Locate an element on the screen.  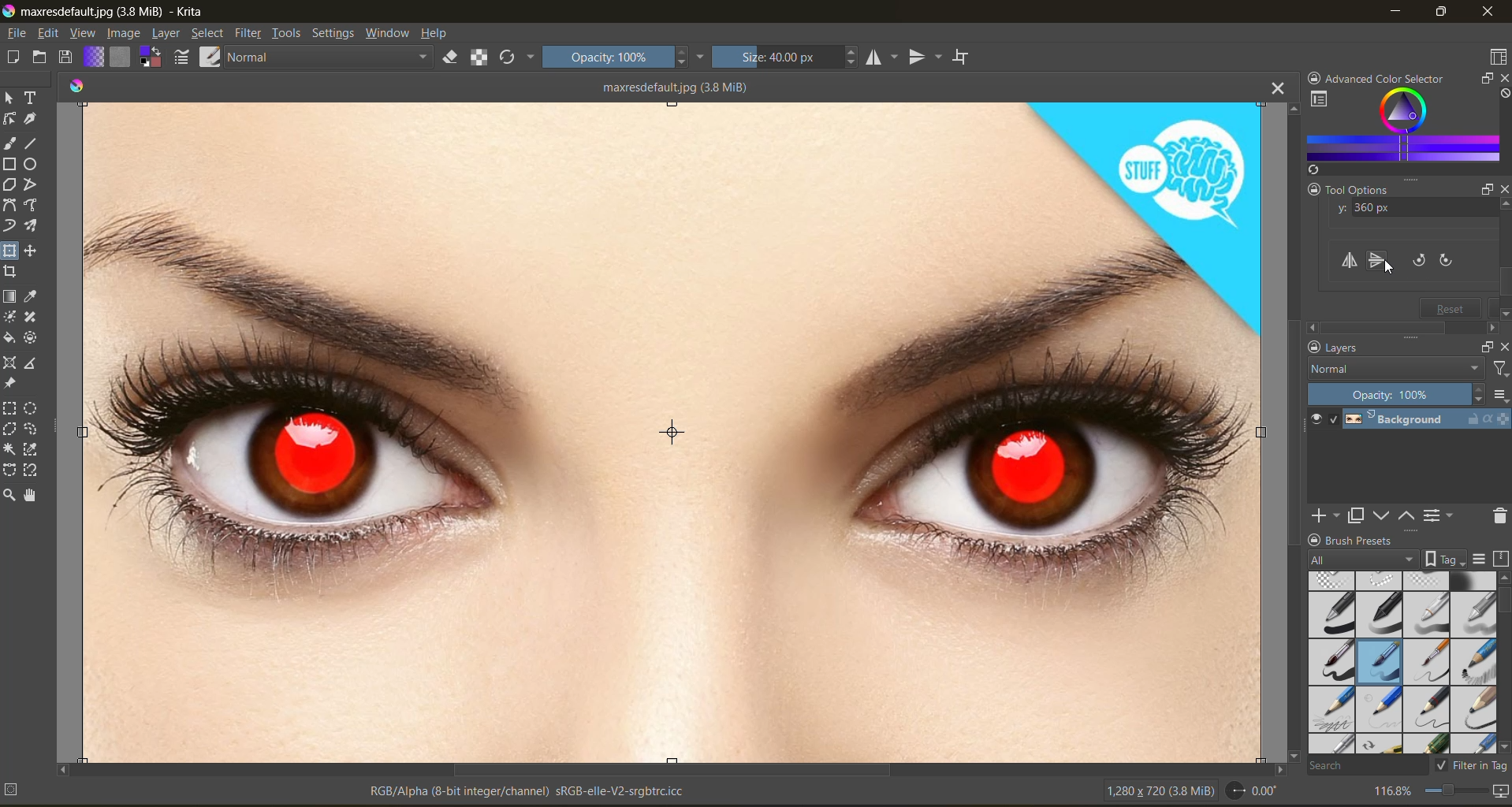
tool is located at coordinates (35, 225).